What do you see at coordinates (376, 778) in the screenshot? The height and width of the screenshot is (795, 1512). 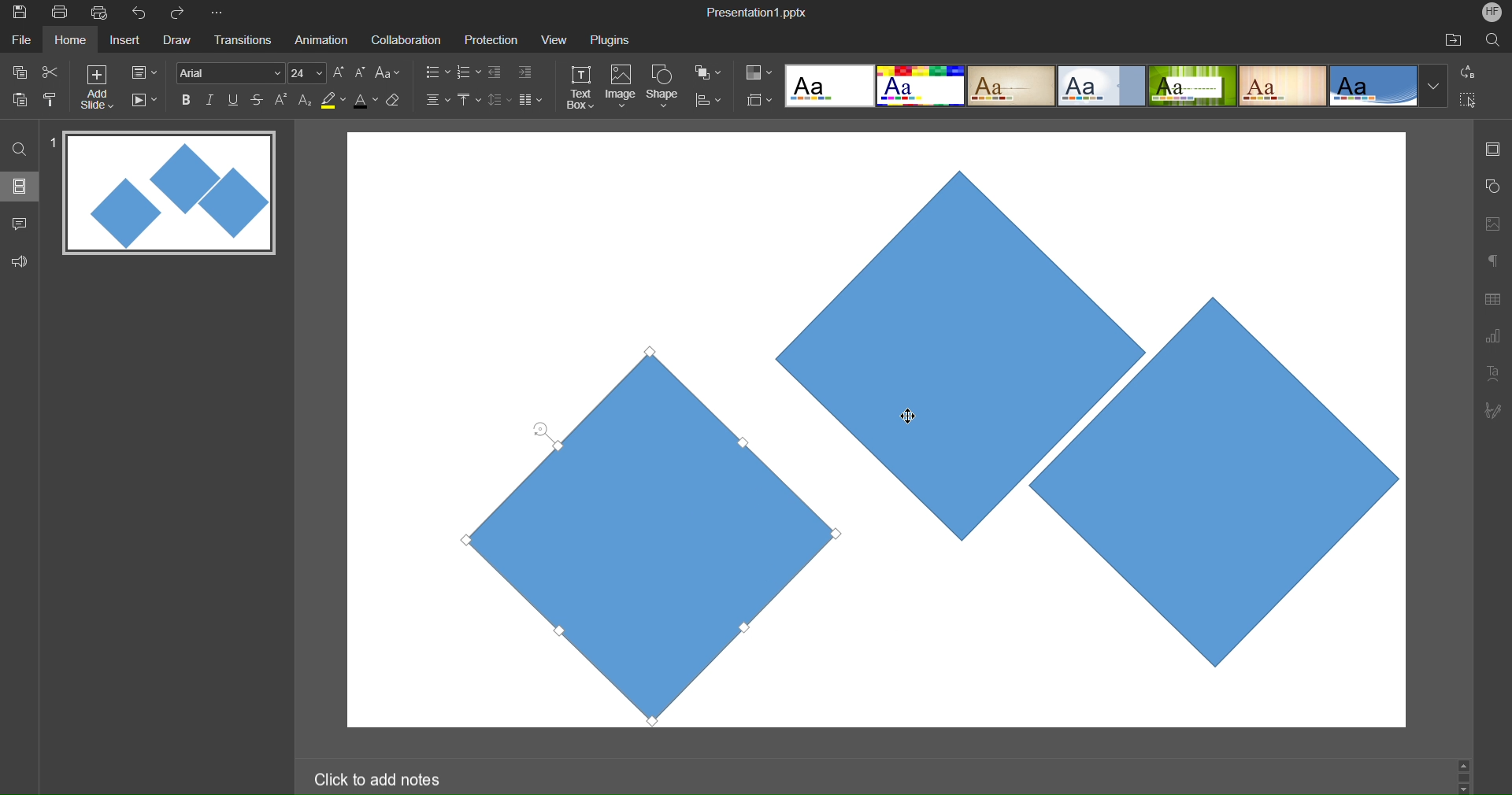 I see `Click to add notes` at bounding box center [376, 778].